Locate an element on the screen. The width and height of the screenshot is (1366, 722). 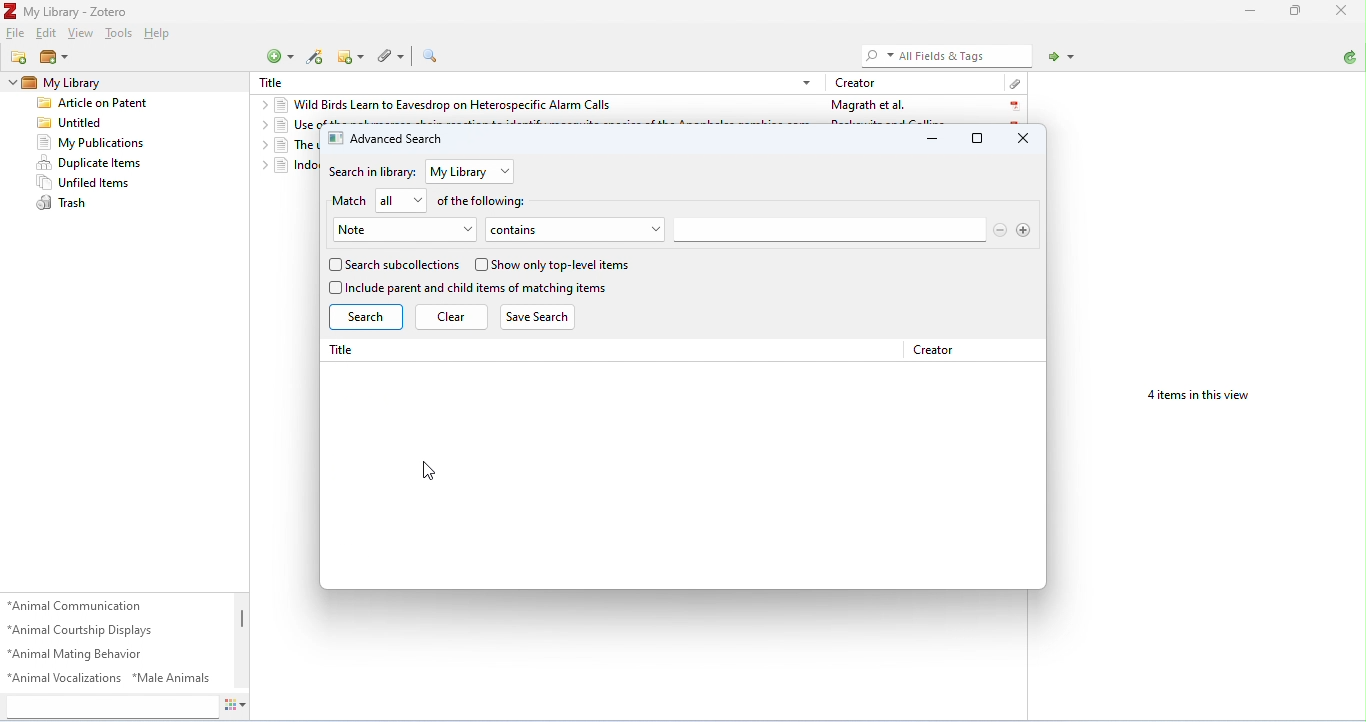
new library is located at coordinates (56, 59).